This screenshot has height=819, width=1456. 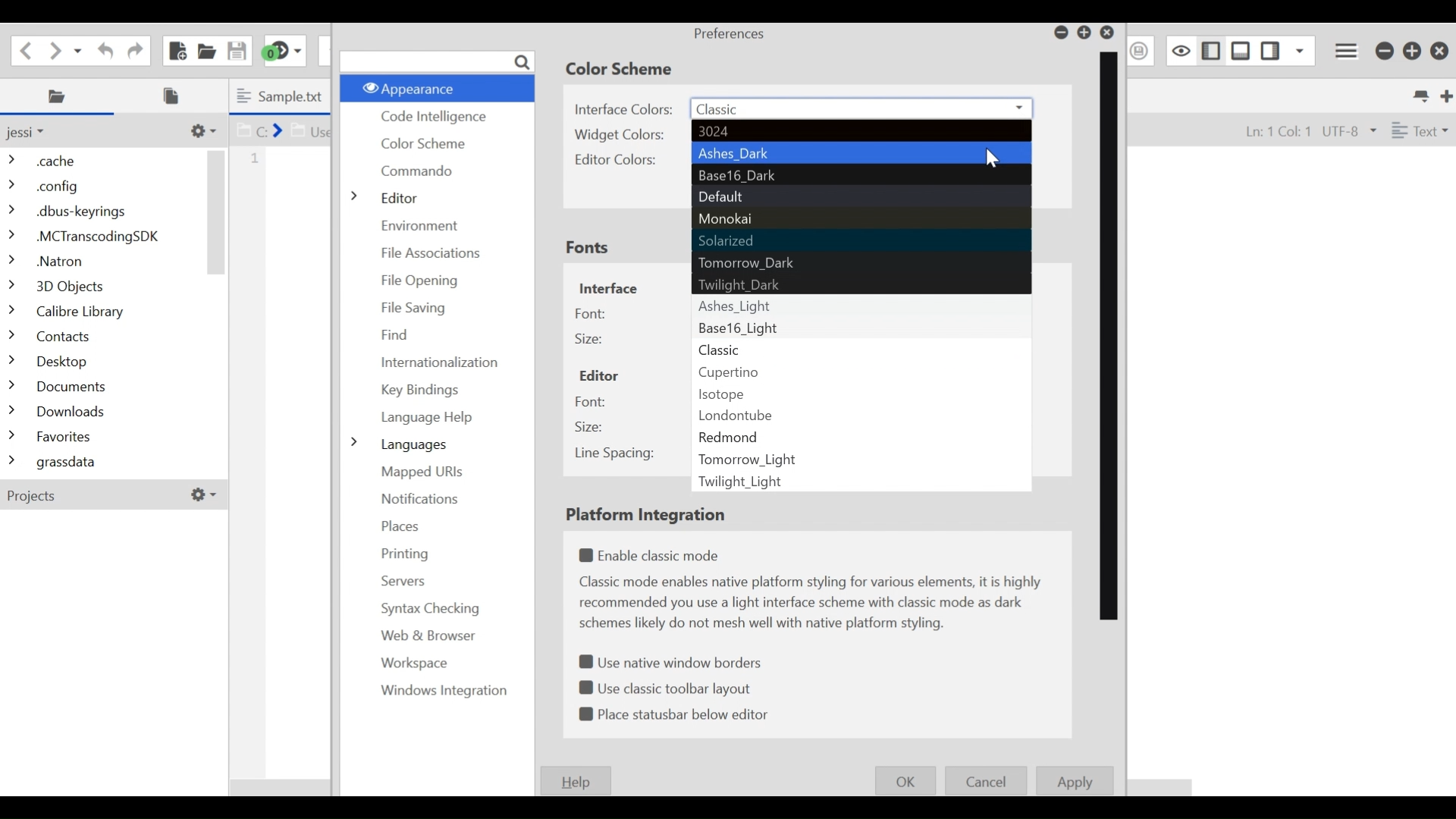 I want to click on minimize, so click(x=1384, y=51).